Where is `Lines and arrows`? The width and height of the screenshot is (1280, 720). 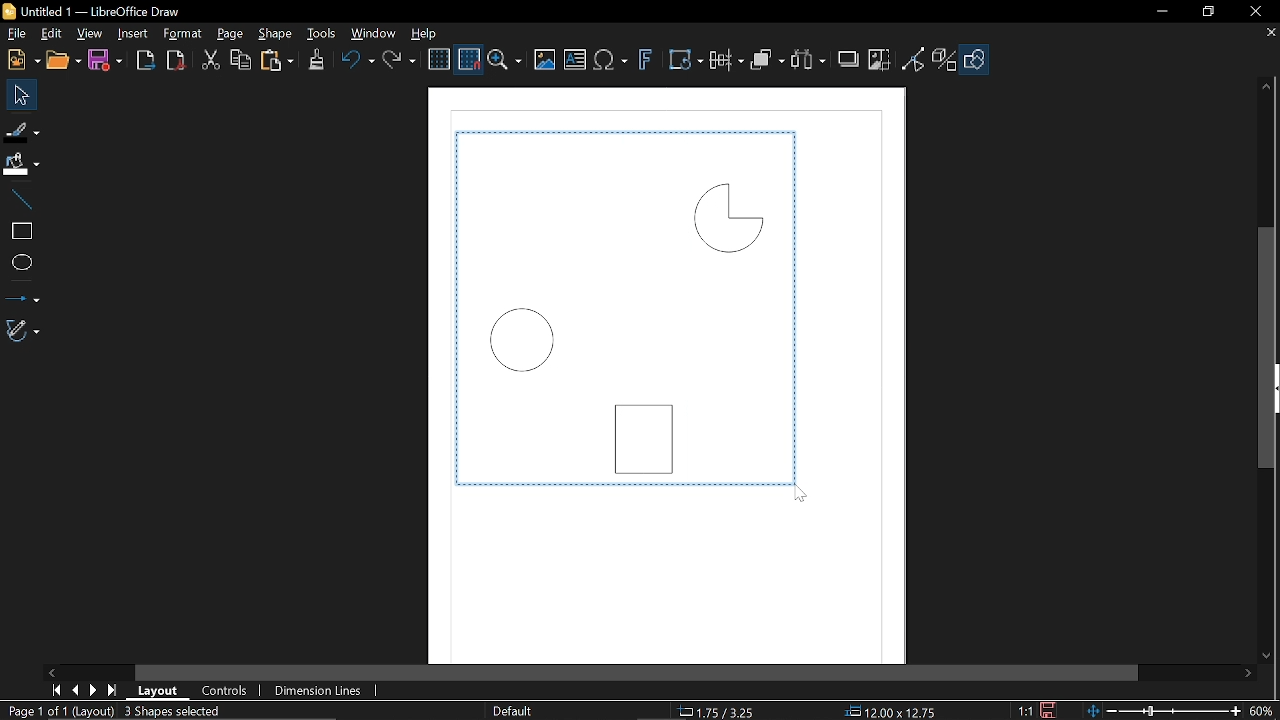
Lines and arrows is located at coordinates (25, 295).